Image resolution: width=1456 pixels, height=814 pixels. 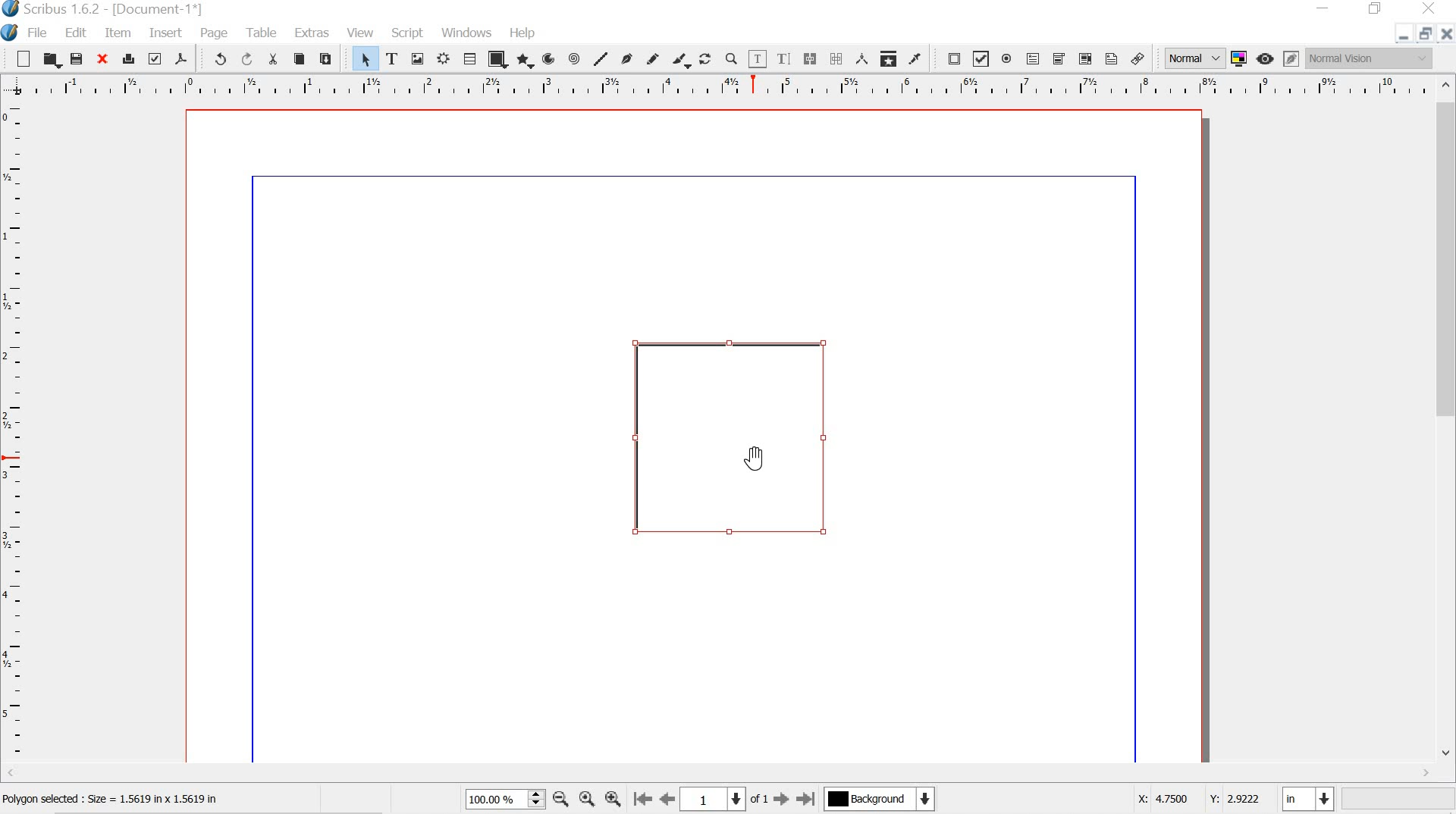 What do you see at coordinates (613, 800) in the screenshot?
I see `zoom in` at bounding box center [613, 800].